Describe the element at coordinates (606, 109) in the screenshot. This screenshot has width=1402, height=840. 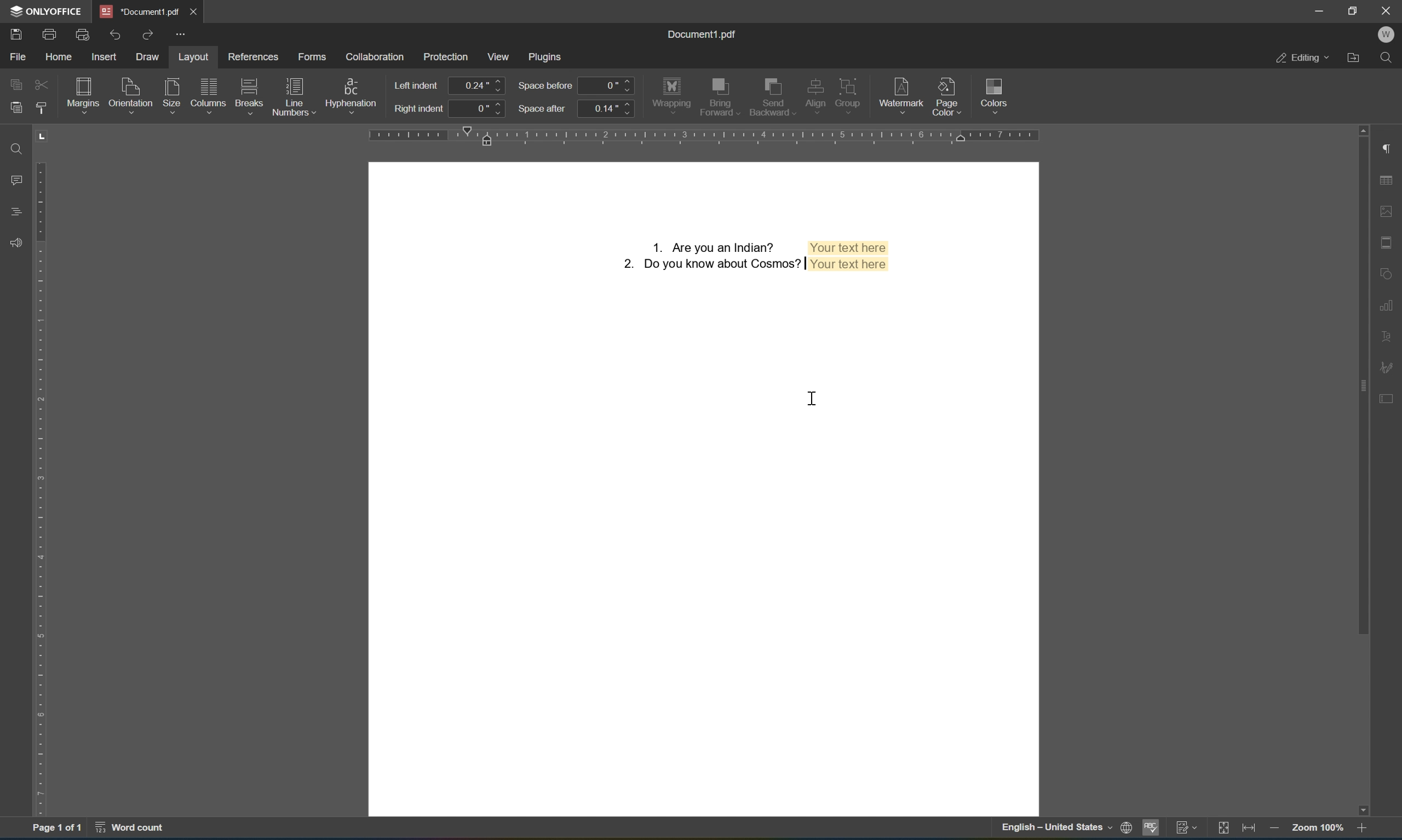
I see `0.14` at that location.